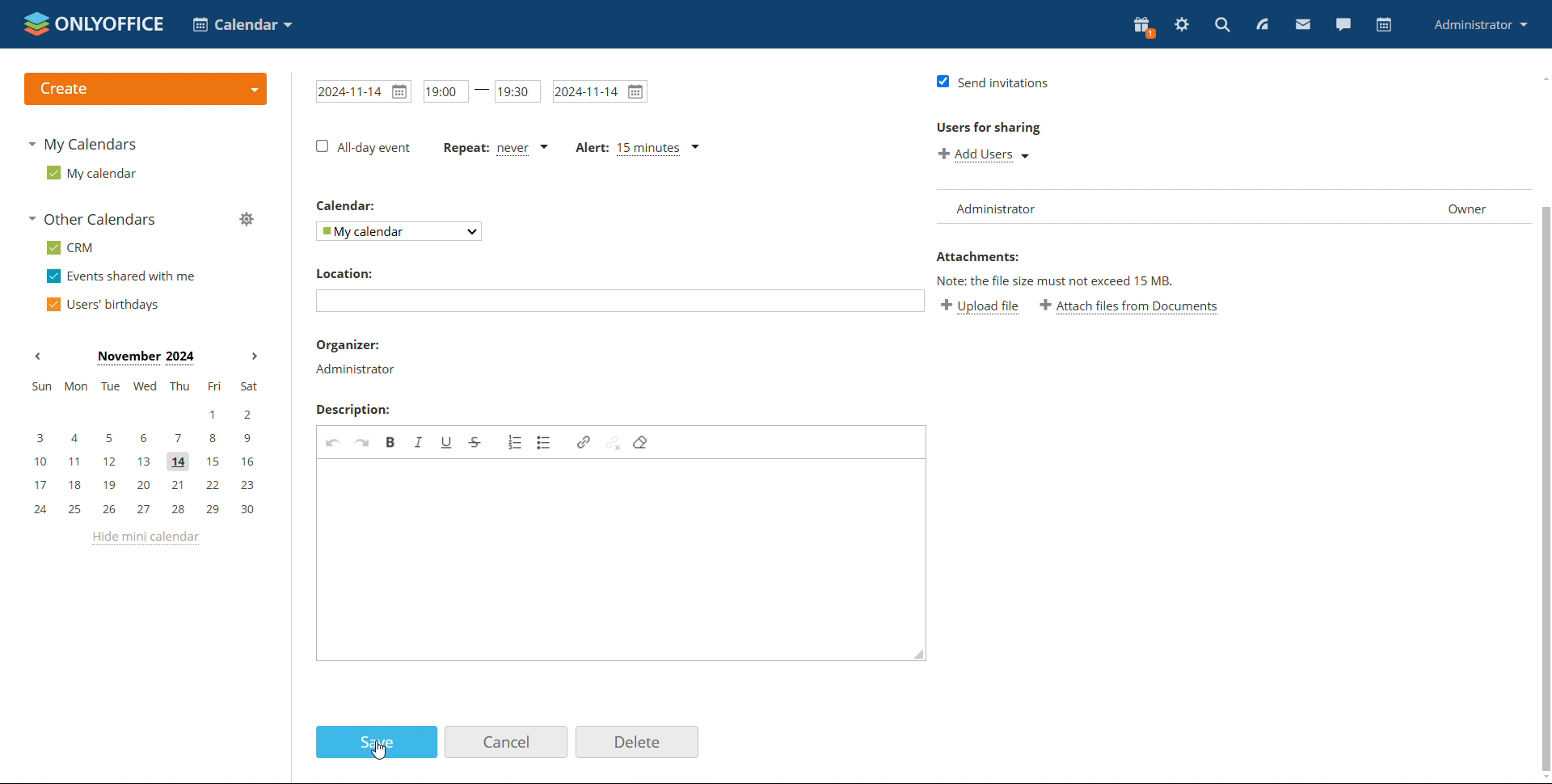  Describe the element at coordinates (616, 301) in the screenshot. I see `text box` at that location.